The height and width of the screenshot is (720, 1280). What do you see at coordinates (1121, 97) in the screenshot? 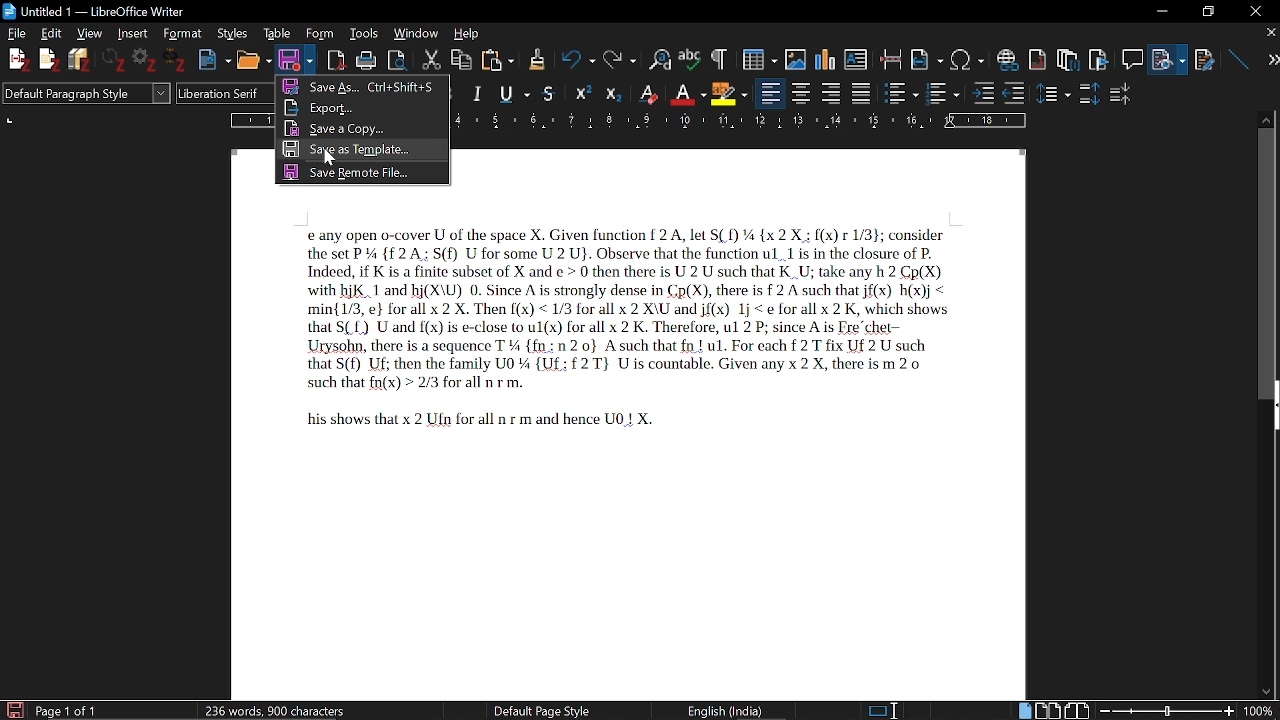
I see `decrease paragraph space` at bounding box center [1121, 97].